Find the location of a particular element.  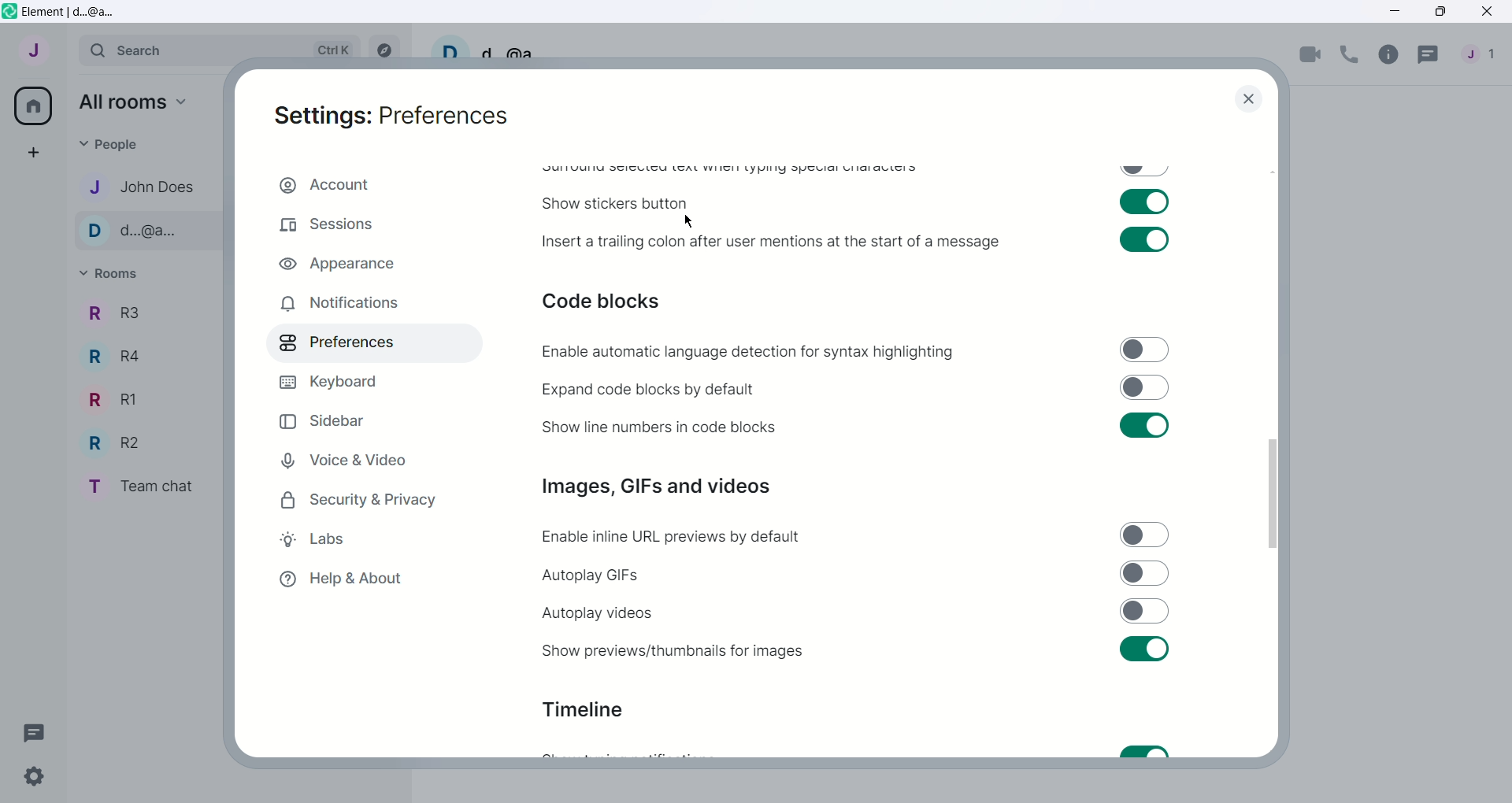

User profile picture and settings is located at coordinates (450, 46).